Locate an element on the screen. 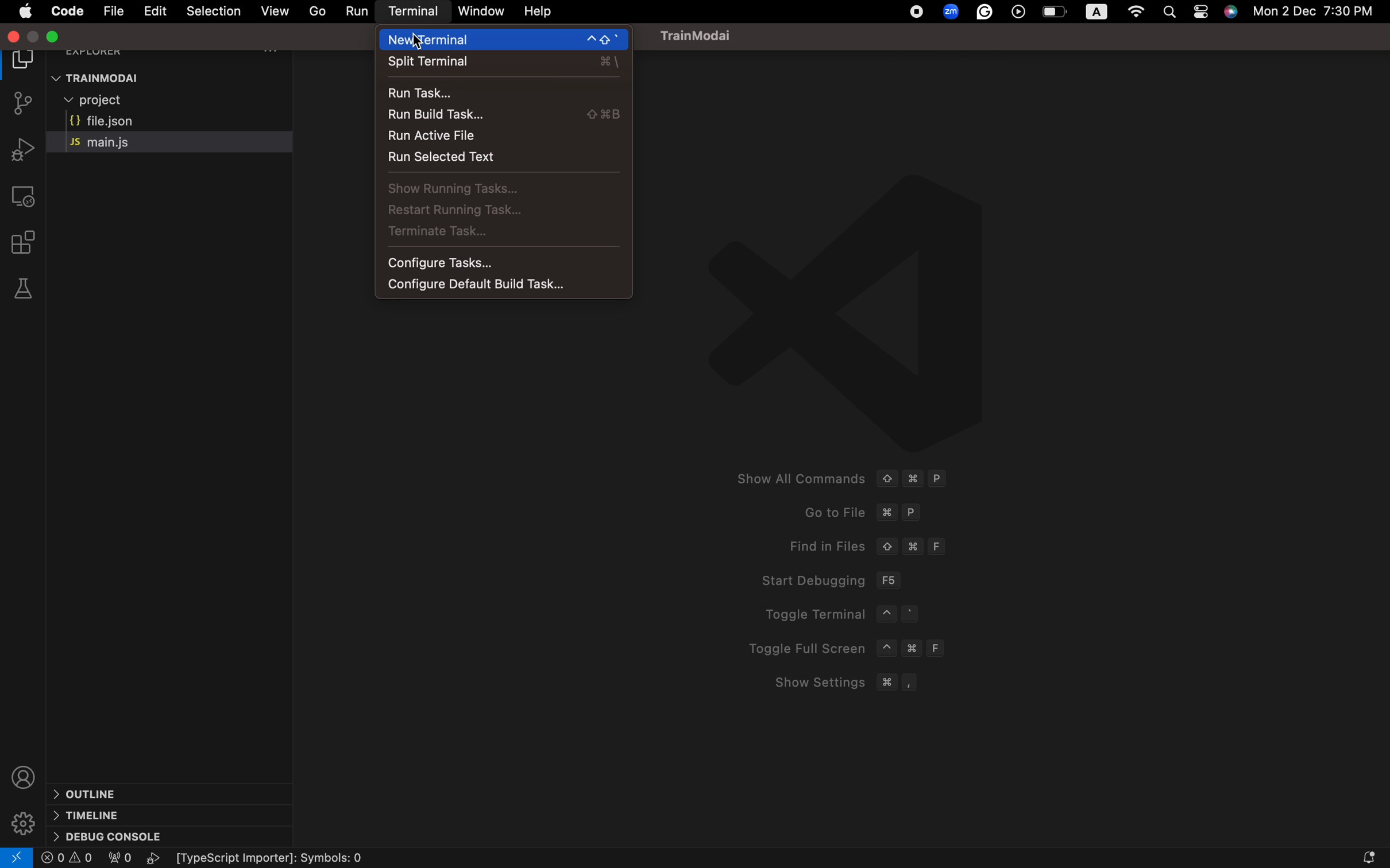 This screenshot has height=868, width=1390. tests is located at coordinates (24, 289).